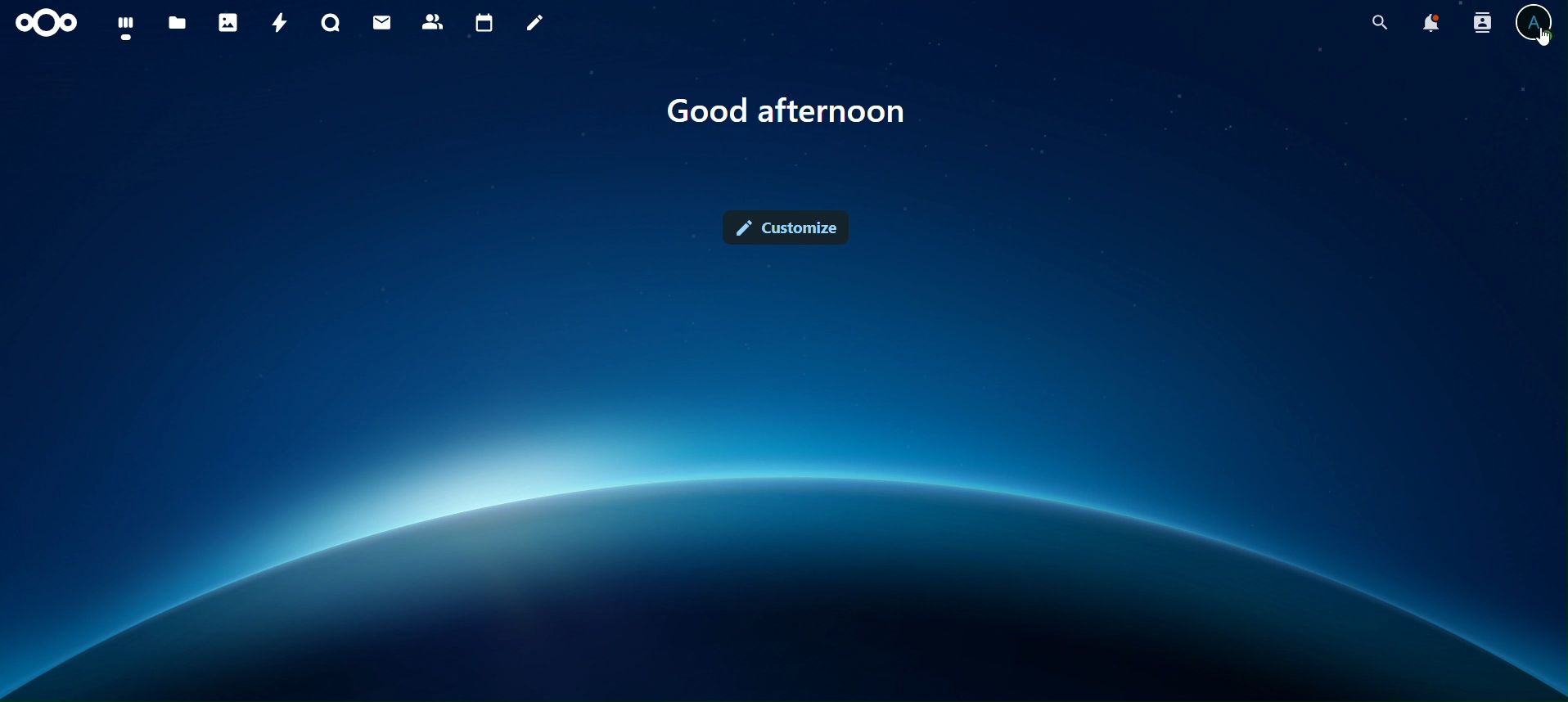 The height and width of the screenshot is (702, 1568). What do you see at coordinates (777, 226) in the screenshot?
I see `customize` at bounding box center [777, 226].